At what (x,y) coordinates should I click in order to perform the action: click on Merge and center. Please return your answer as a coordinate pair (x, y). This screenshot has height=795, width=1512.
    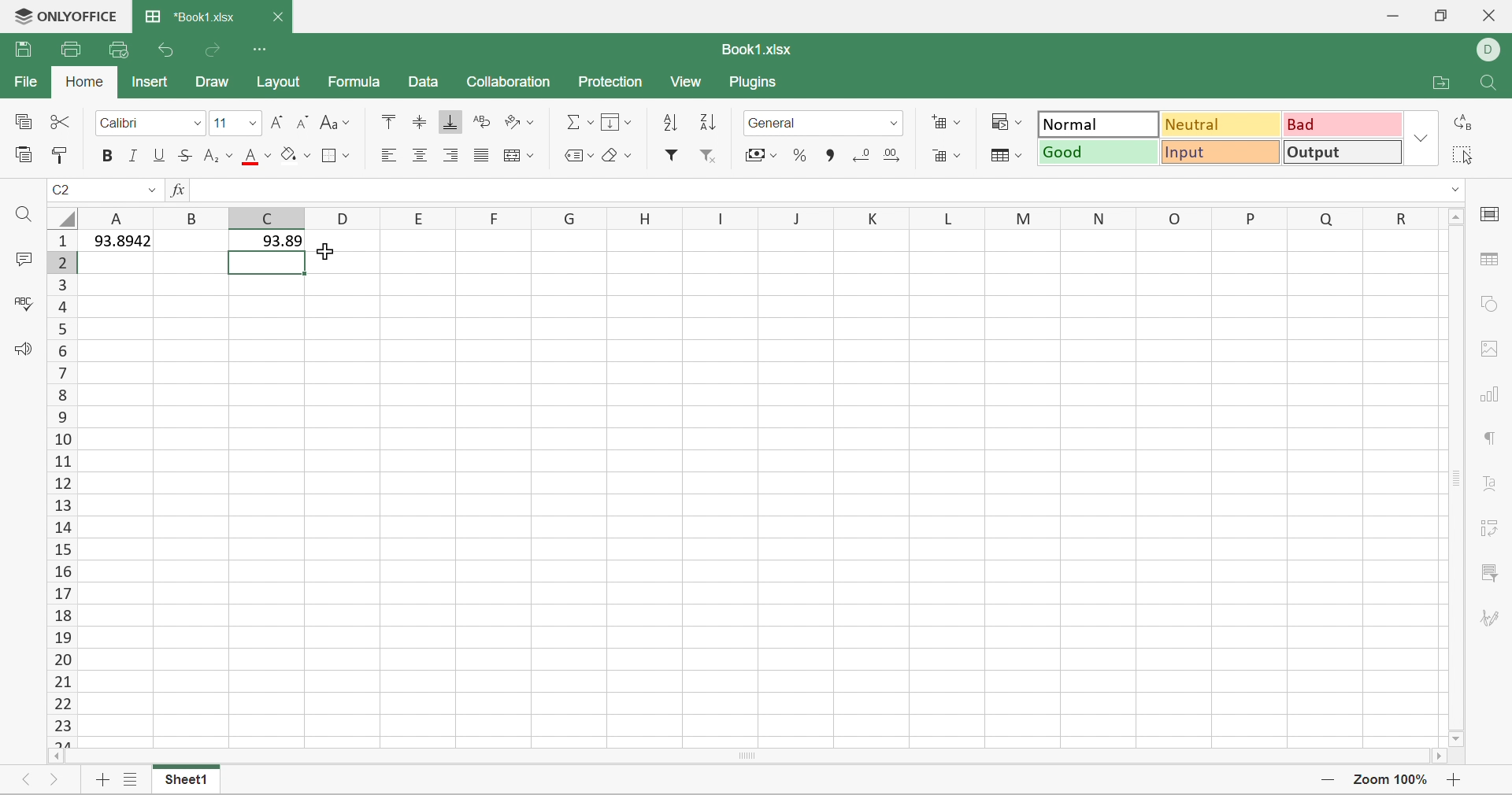
    Looking at the image, I should click on (519, 154).